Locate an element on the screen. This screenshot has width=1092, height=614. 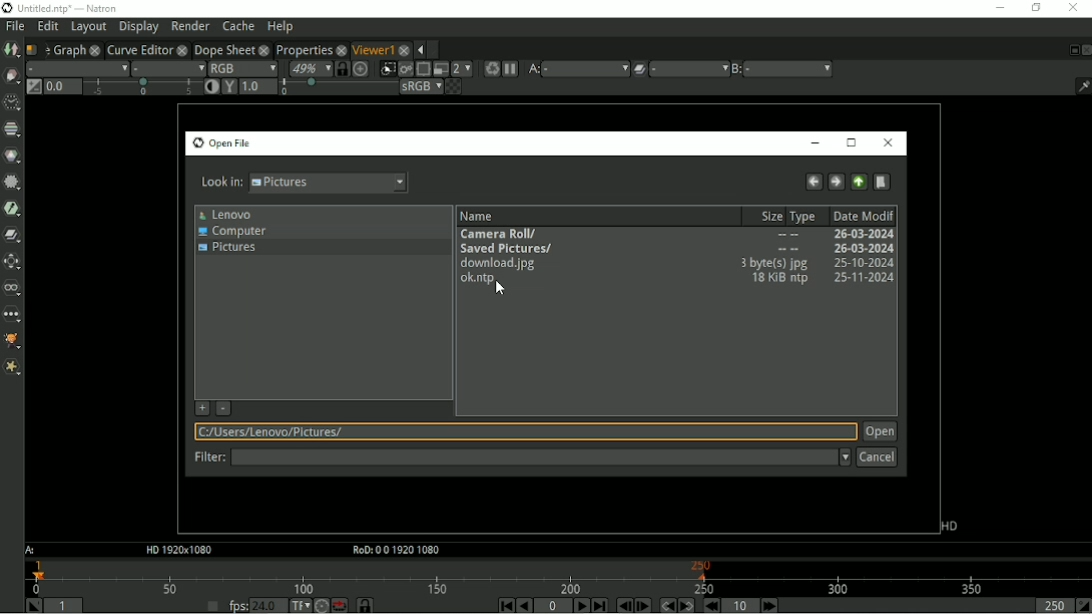
fps is located at coordinates (238, 605).